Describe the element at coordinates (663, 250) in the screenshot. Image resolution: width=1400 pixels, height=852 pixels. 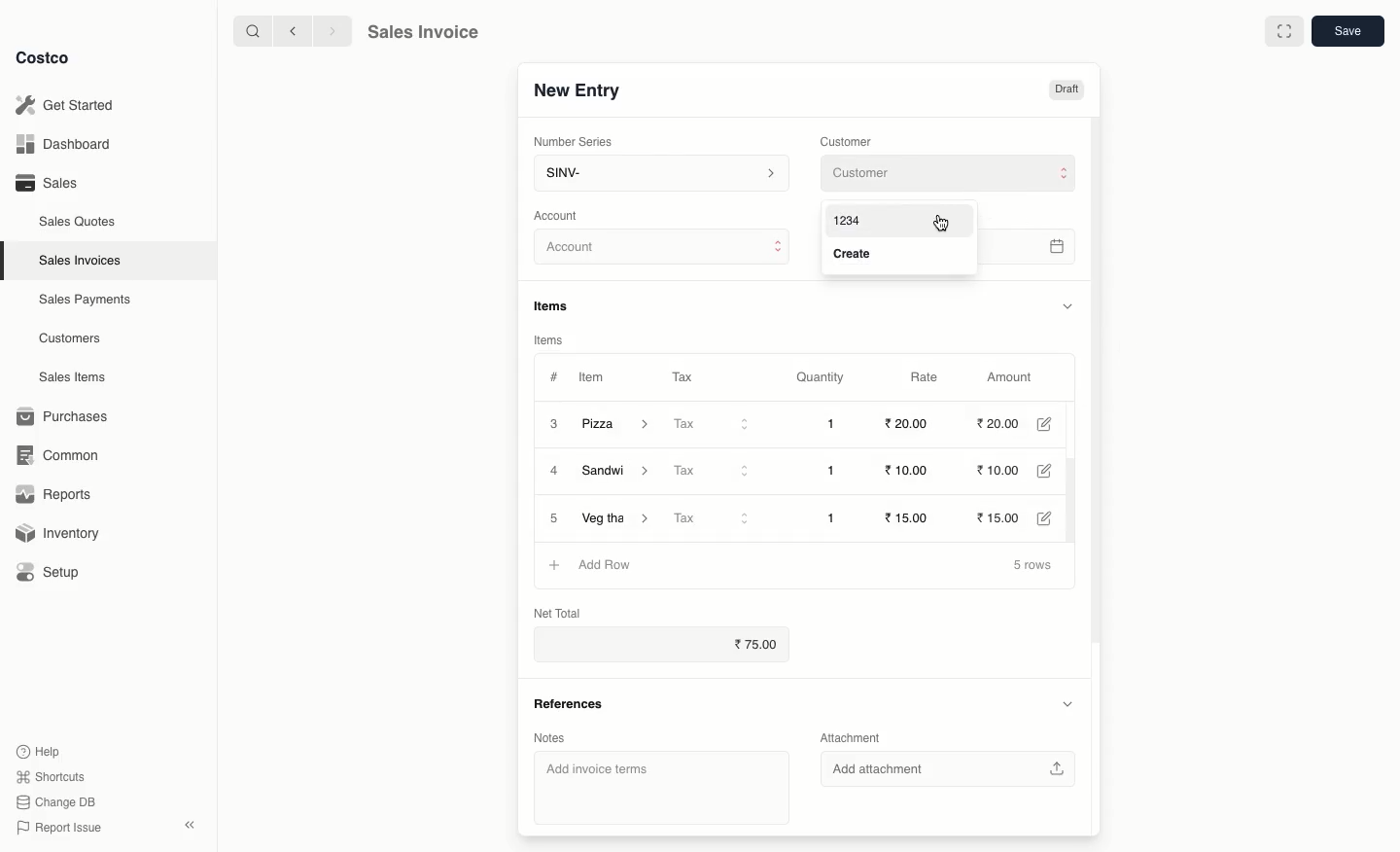
I see `Account` at that location.